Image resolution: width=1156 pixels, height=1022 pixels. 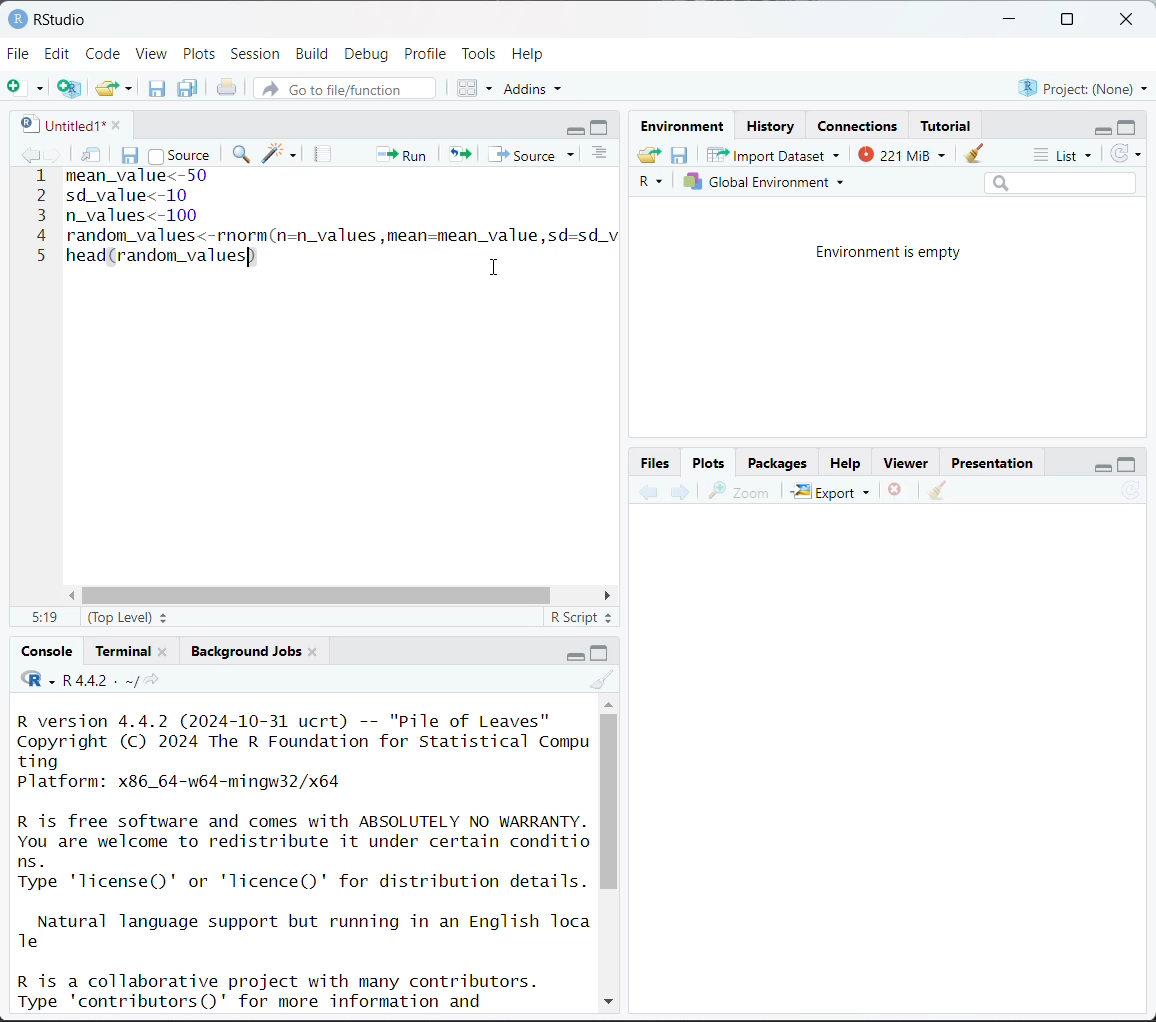 What do you see at coordinates (1060, 182) in the screenshot?
I see `search` at bounding box center [1060, 182].